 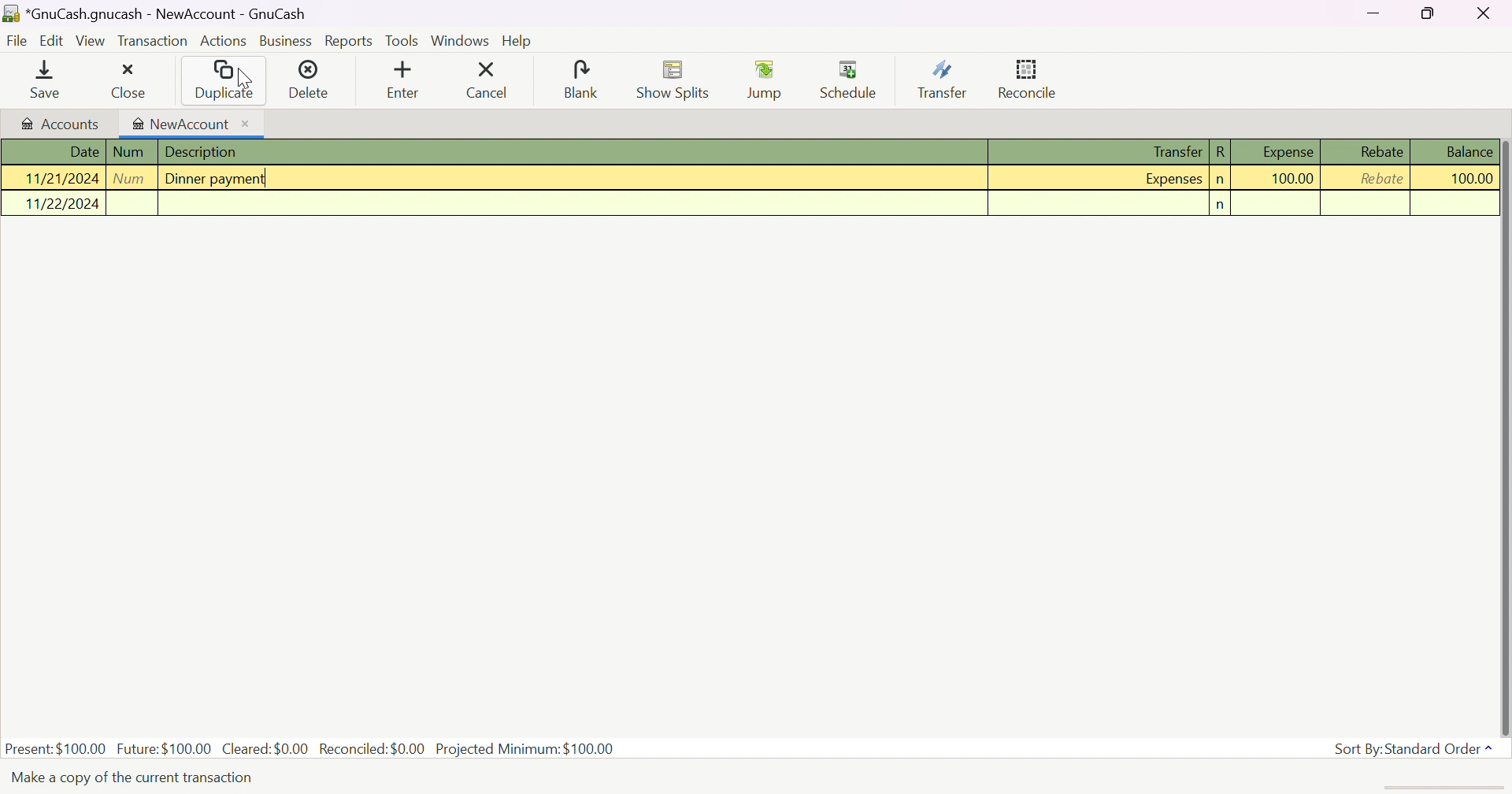 What do you see at coordinates (59, 123) in the screenshot?
I see `Accounts` at bounding box center [59, 123].